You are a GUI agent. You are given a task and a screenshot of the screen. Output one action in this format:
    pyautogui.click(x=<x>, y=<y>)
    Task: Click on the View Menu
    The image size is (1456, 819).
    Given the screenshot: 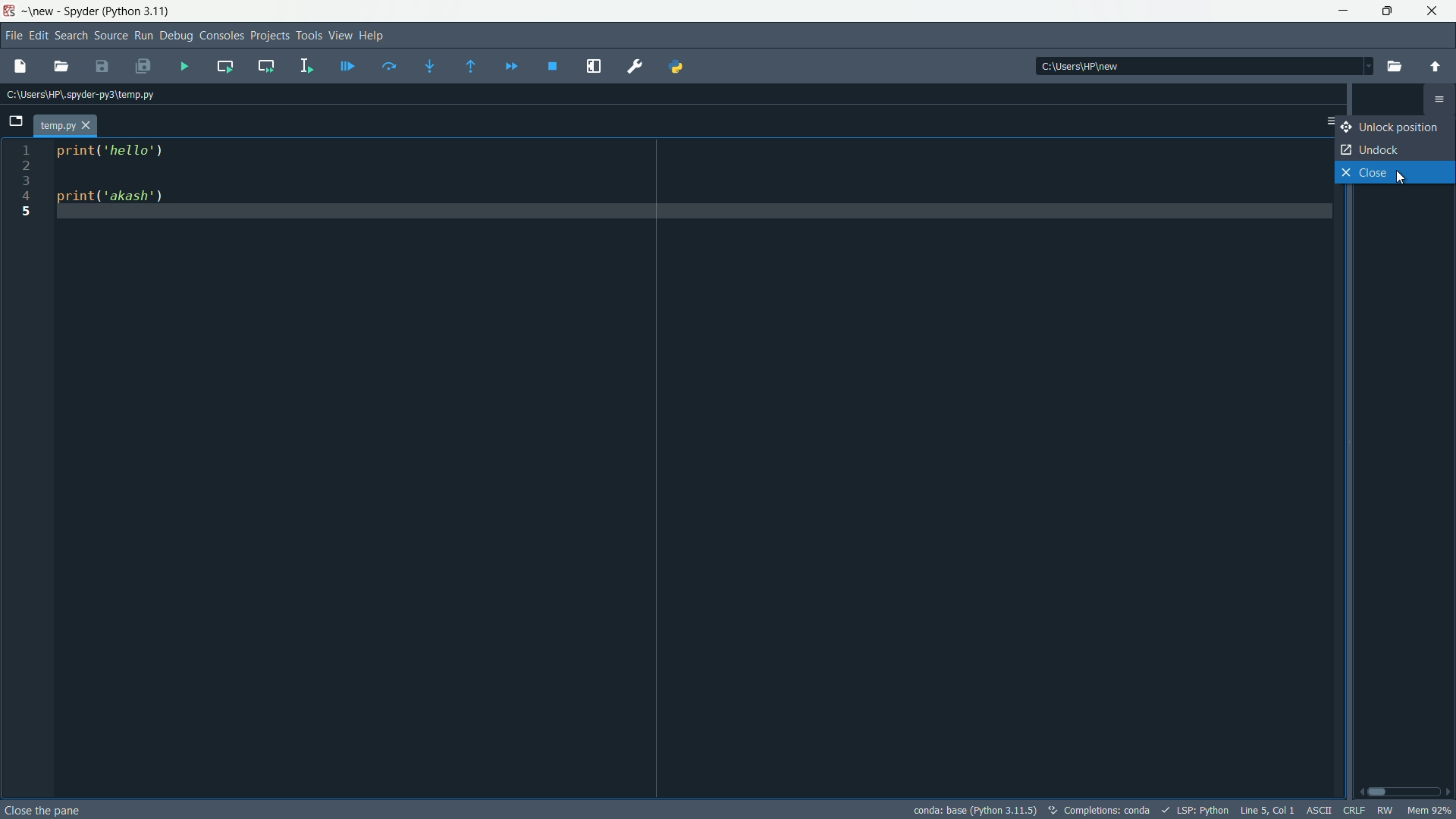 What is the action you would take?
    pyautogui.click(x=340, y=35)
    